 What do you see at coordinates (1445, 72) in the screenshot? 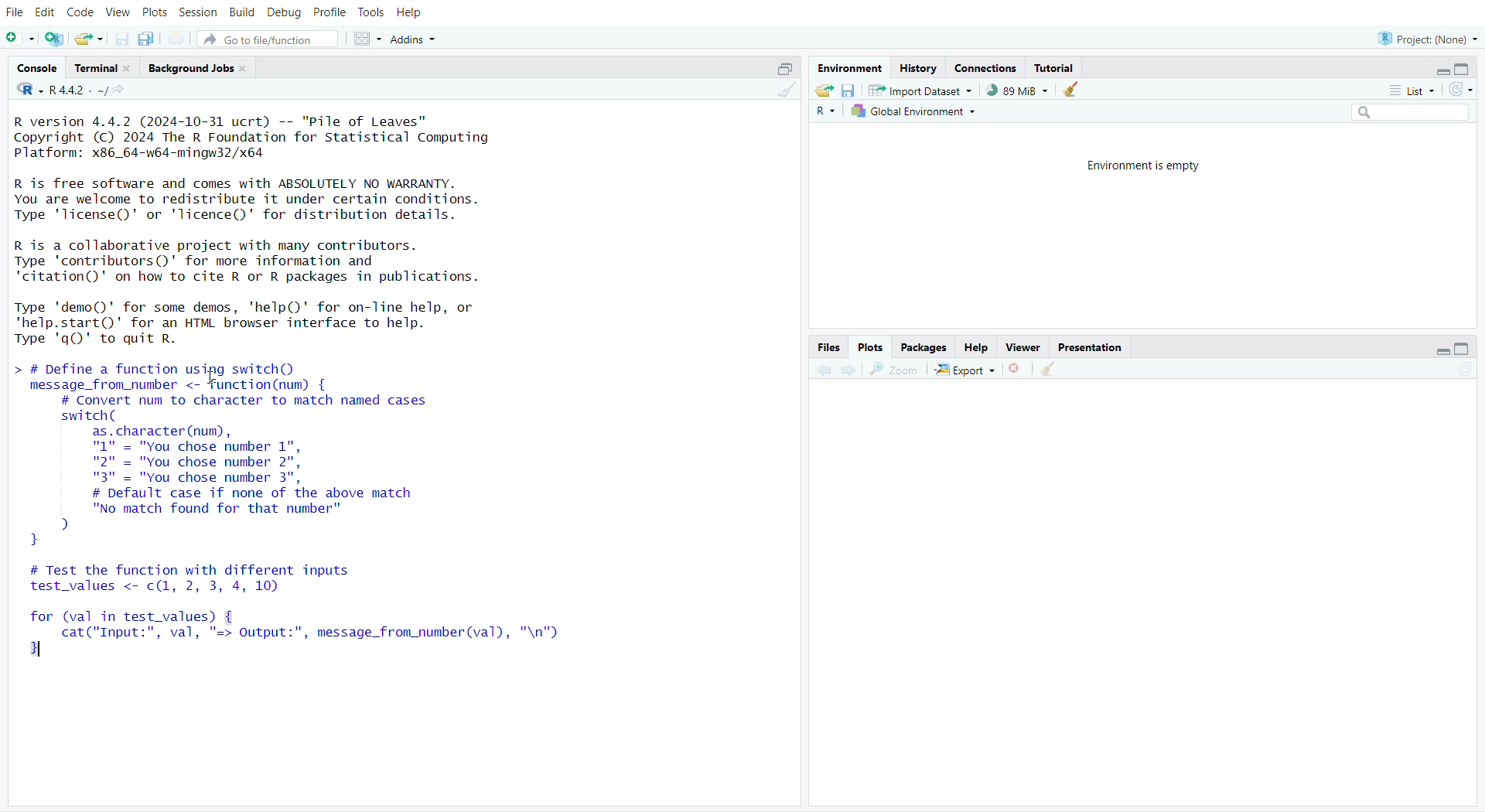
I see `Minimize` at bounding box center [1445, 72].